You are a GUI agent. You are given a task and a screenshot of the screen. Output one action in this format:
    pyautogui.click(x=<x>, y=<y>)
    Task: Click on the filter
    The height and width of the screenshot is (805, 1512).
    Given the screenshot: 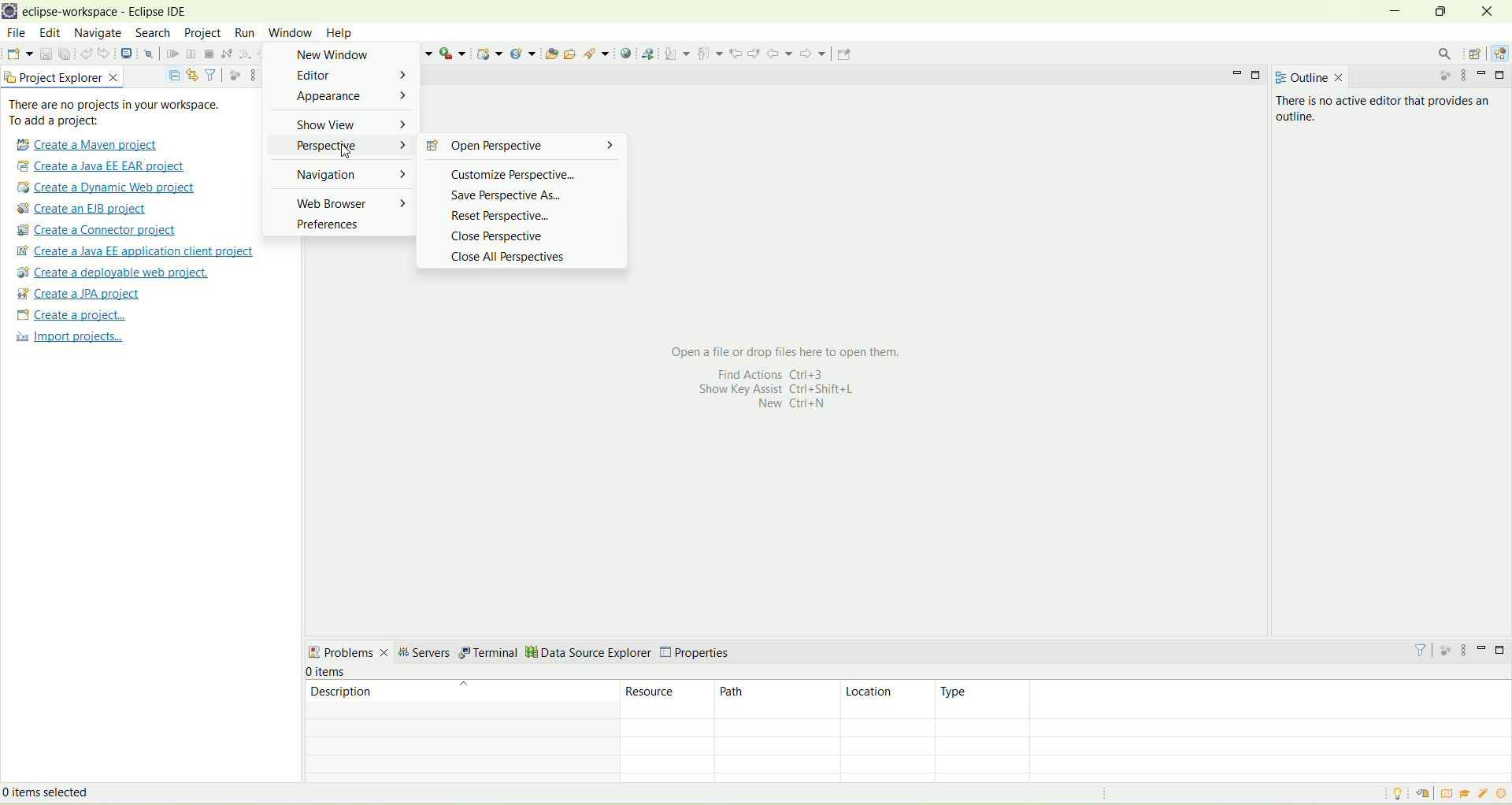 What is the action you would take?
    pyautogui.click(x=211, y=75)
    